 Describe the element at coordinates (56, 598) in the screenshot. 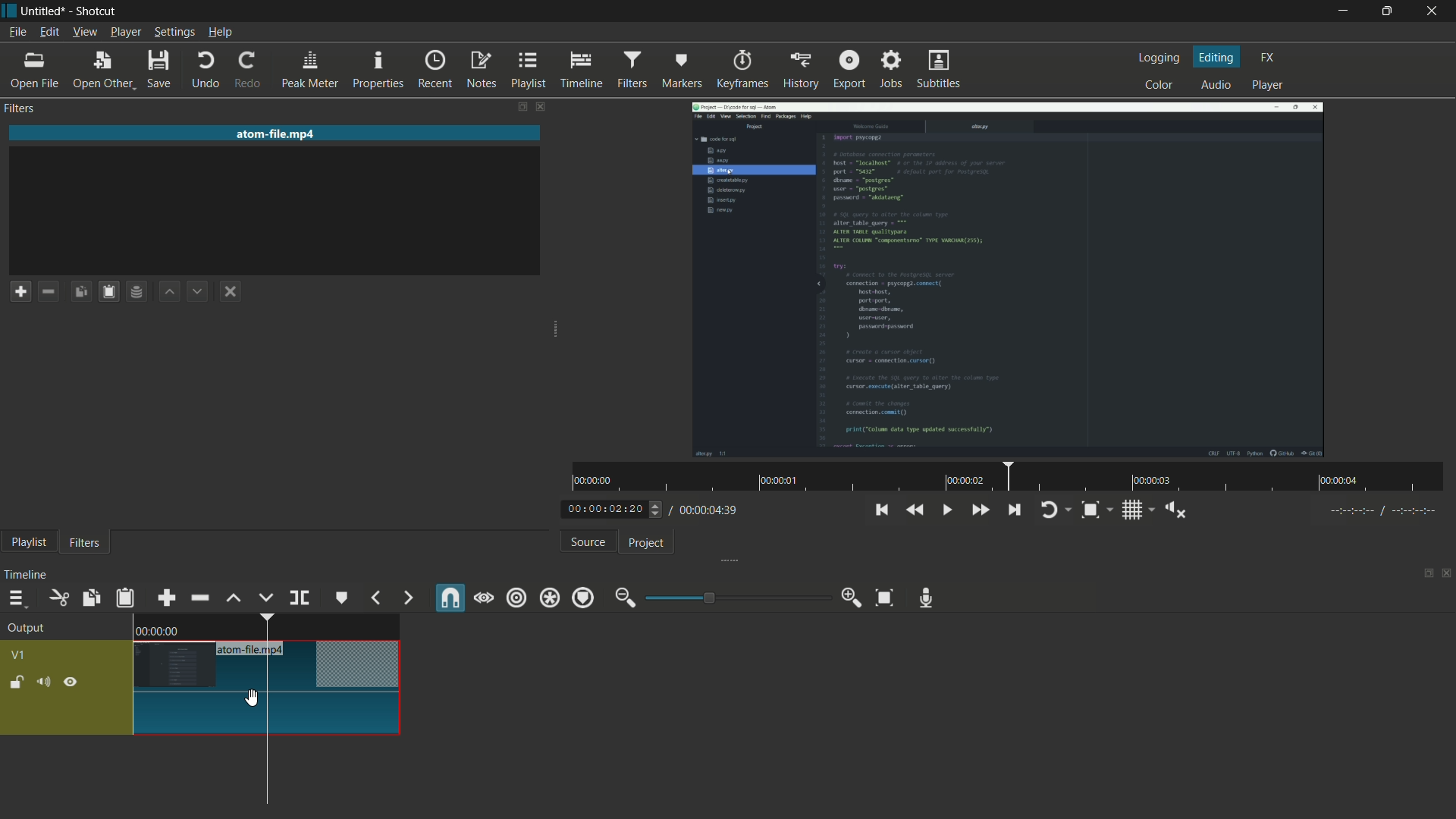

I see `cut` at that location.